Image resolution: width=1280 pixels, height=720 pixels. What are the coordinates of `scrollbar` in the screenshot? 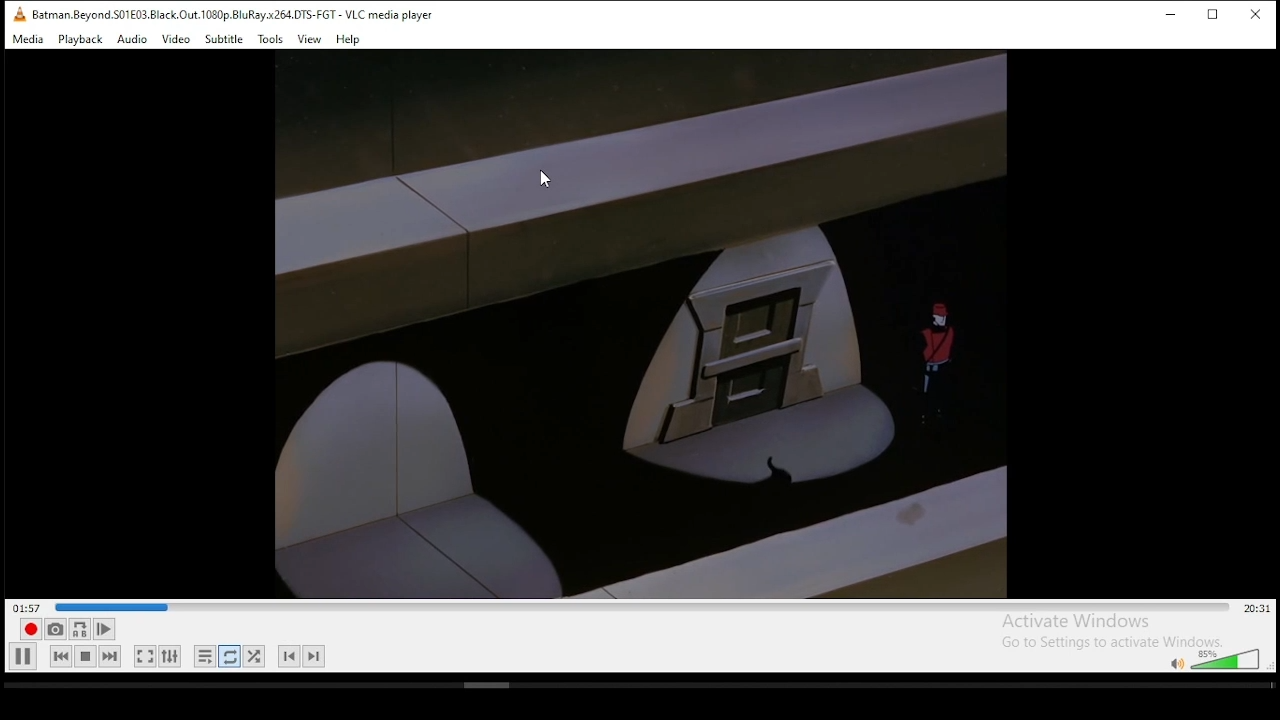 It's located at (637, 687).